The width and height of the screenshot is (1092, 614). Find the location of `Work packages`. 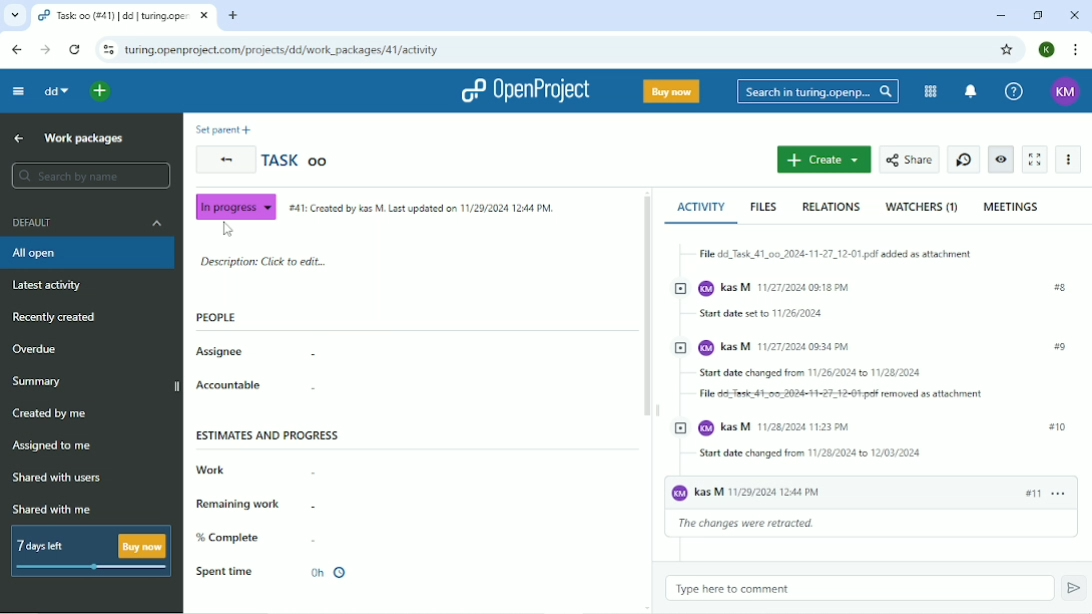

Work packages is located at coordinates (83, 139).